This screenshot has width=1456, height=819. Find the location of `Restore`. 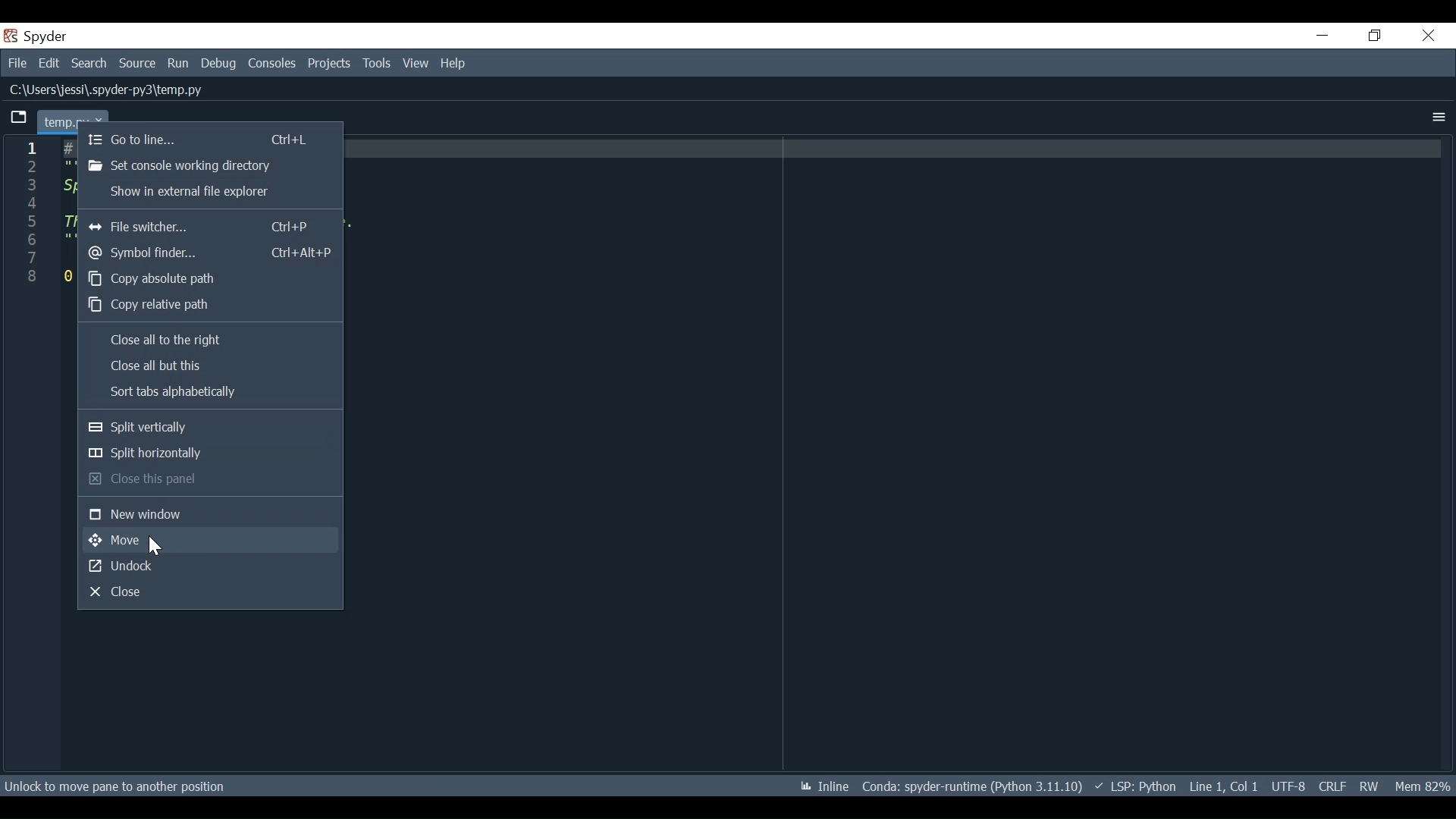

Restore is located at coordinates (1376, 35).